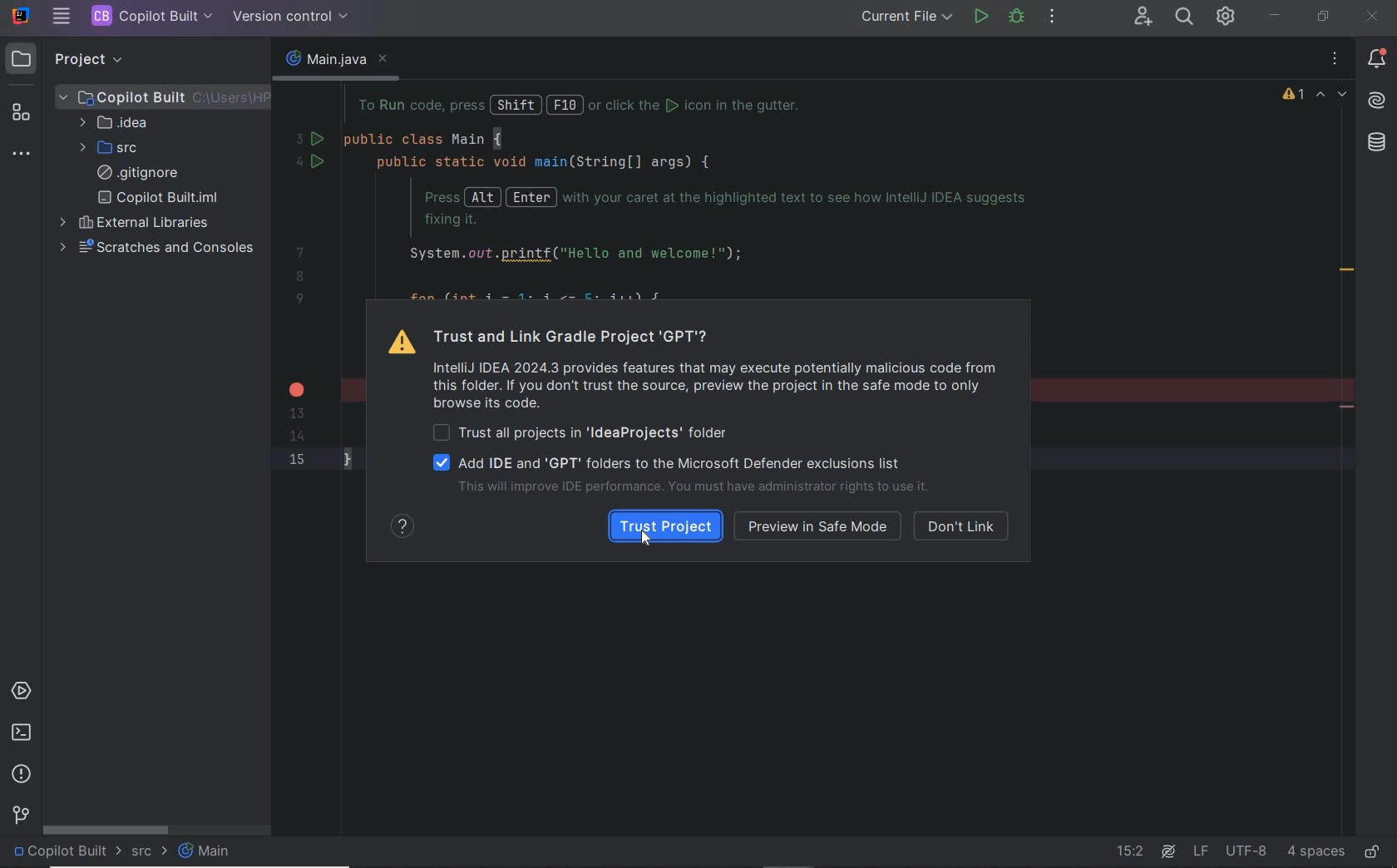  I want to click on IDEA, so click(112, 122).